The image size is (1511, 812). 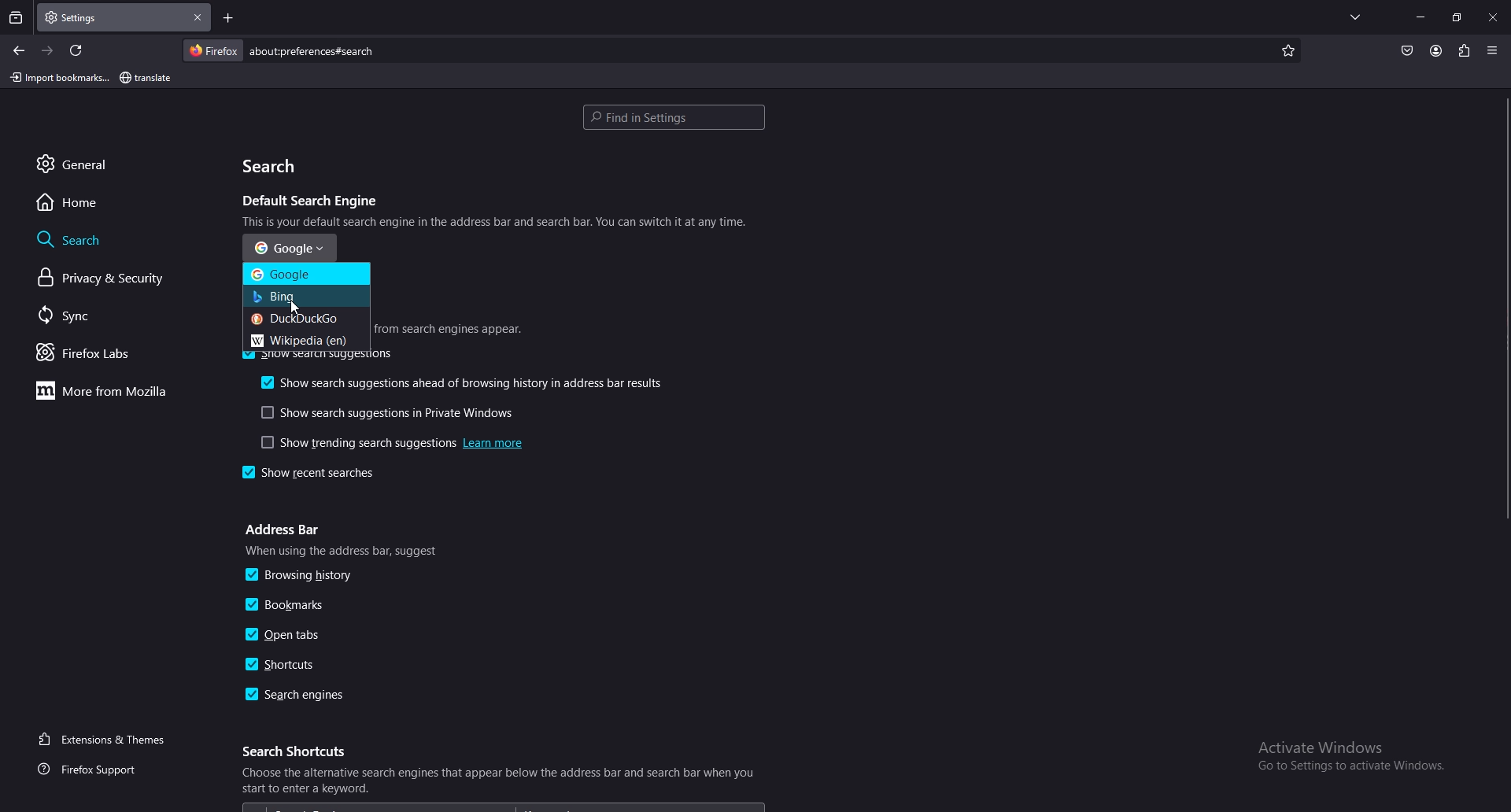 I want to click on google, so click(x=306, y=275).